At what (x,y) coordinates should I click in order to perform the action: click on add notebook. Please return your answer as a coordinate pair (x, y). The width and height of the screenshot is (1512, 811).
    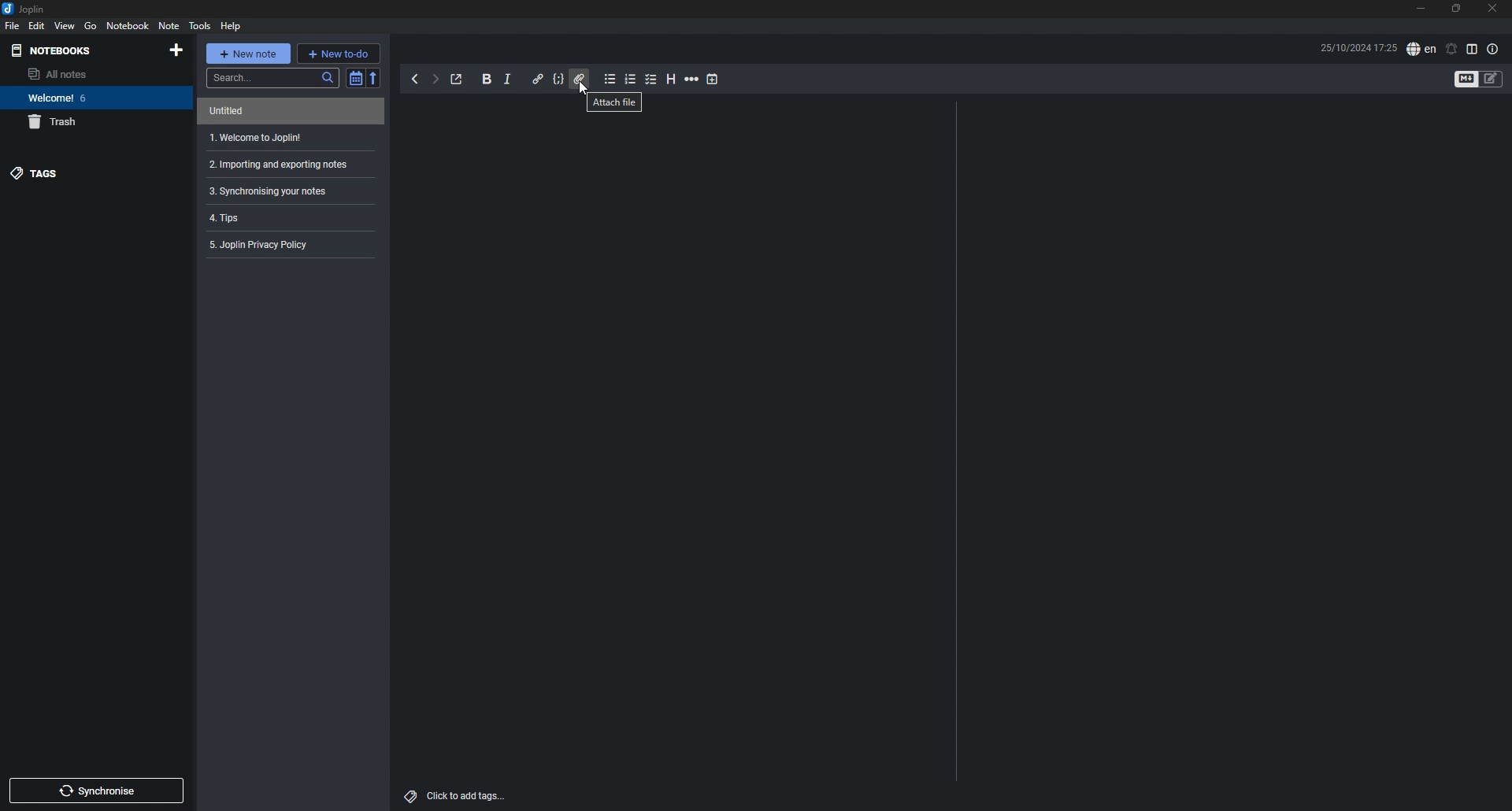
    Looking at the image, I should click on (176, 50).